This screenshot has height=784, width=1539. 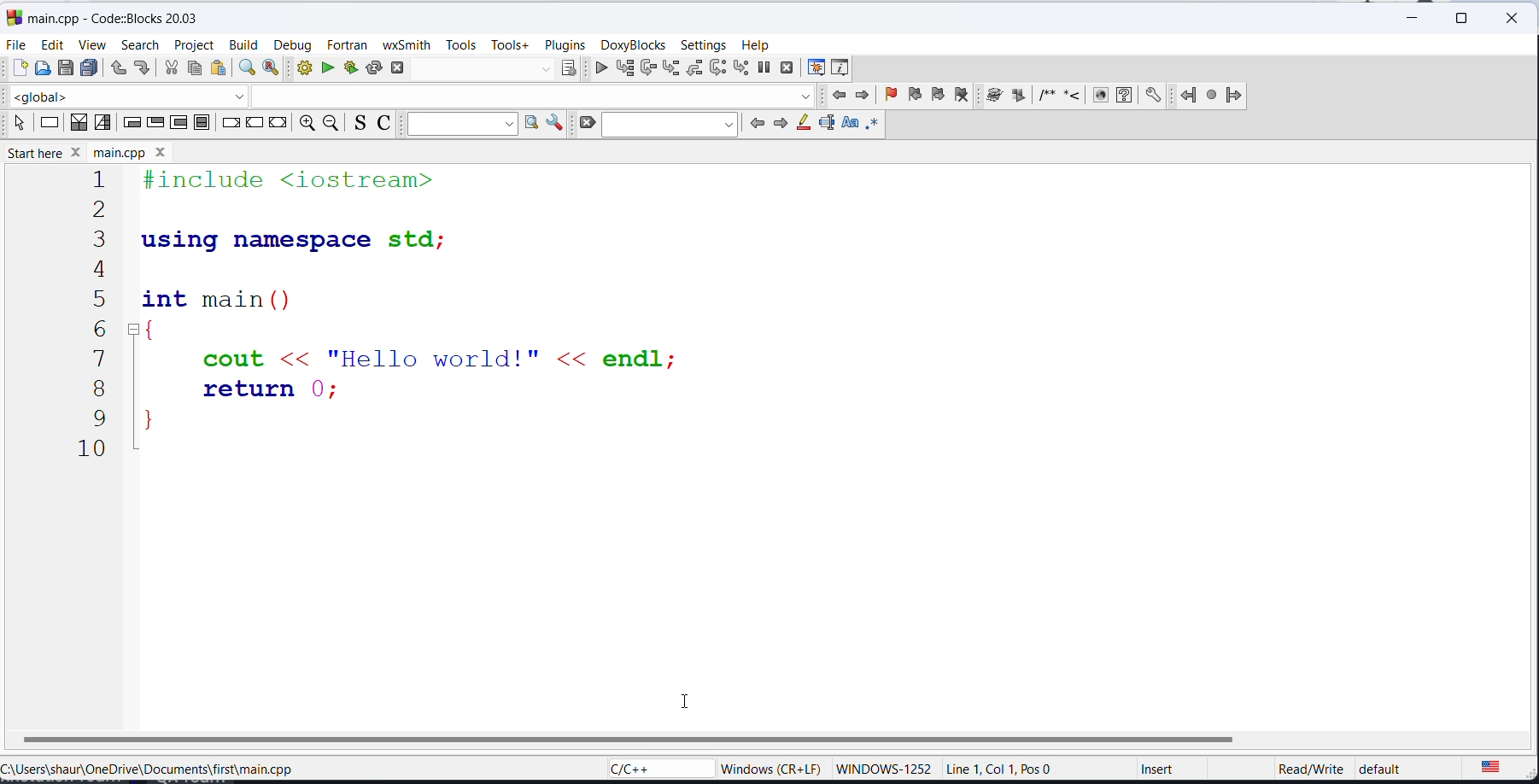 What do you see at coordinates (645, 767) in the screenshot?
I see `language` at bounding box center [645, 767].